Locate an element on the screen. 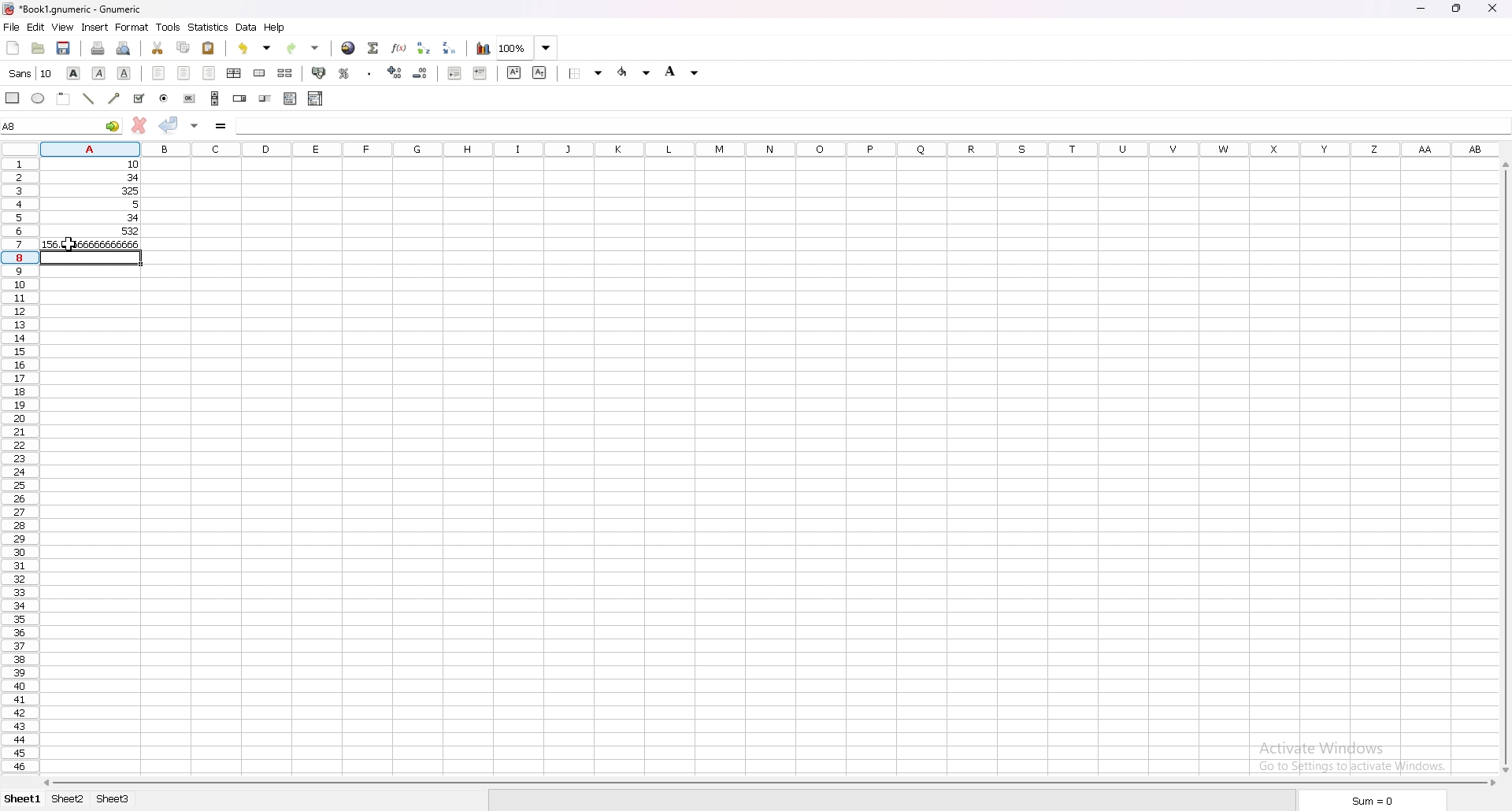 The height and width of the screenshot is (811, 1512). help is located at coordinates (276, 28).